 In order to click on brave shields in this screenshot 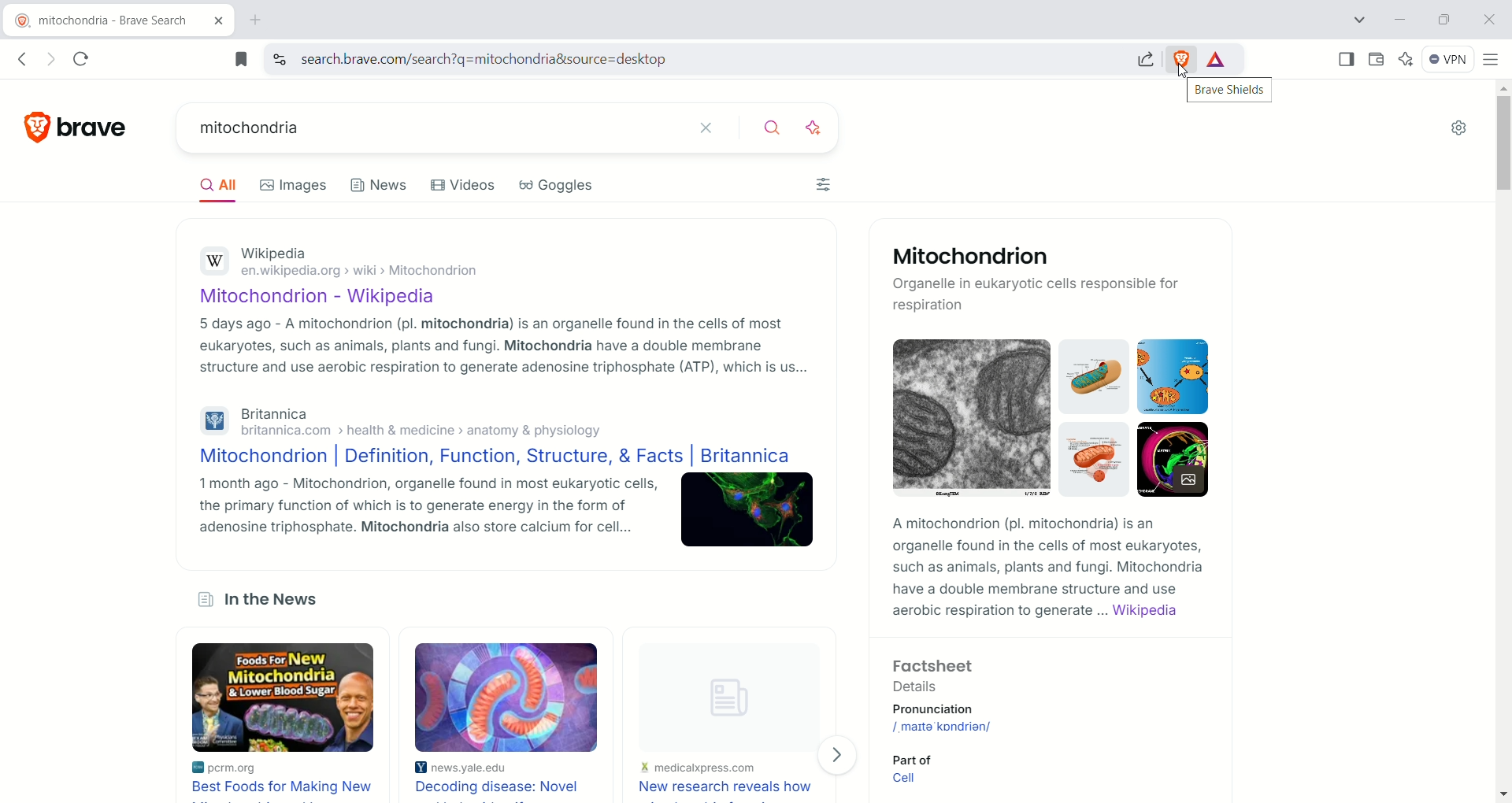, I will do `click(1232, 91)`.